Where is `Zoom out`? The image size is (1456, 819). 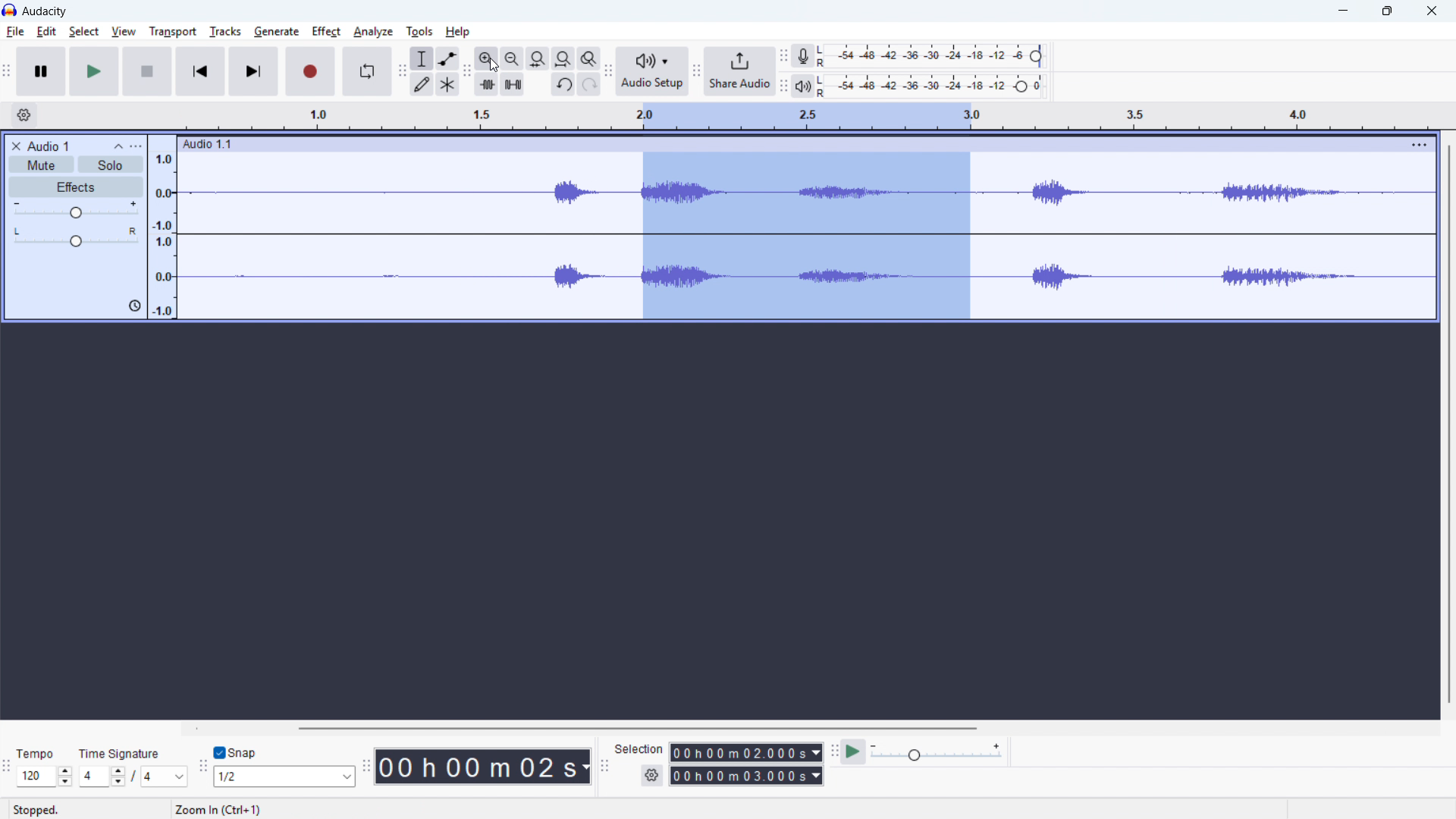
Zoom out is located at coordinates (511, 59).